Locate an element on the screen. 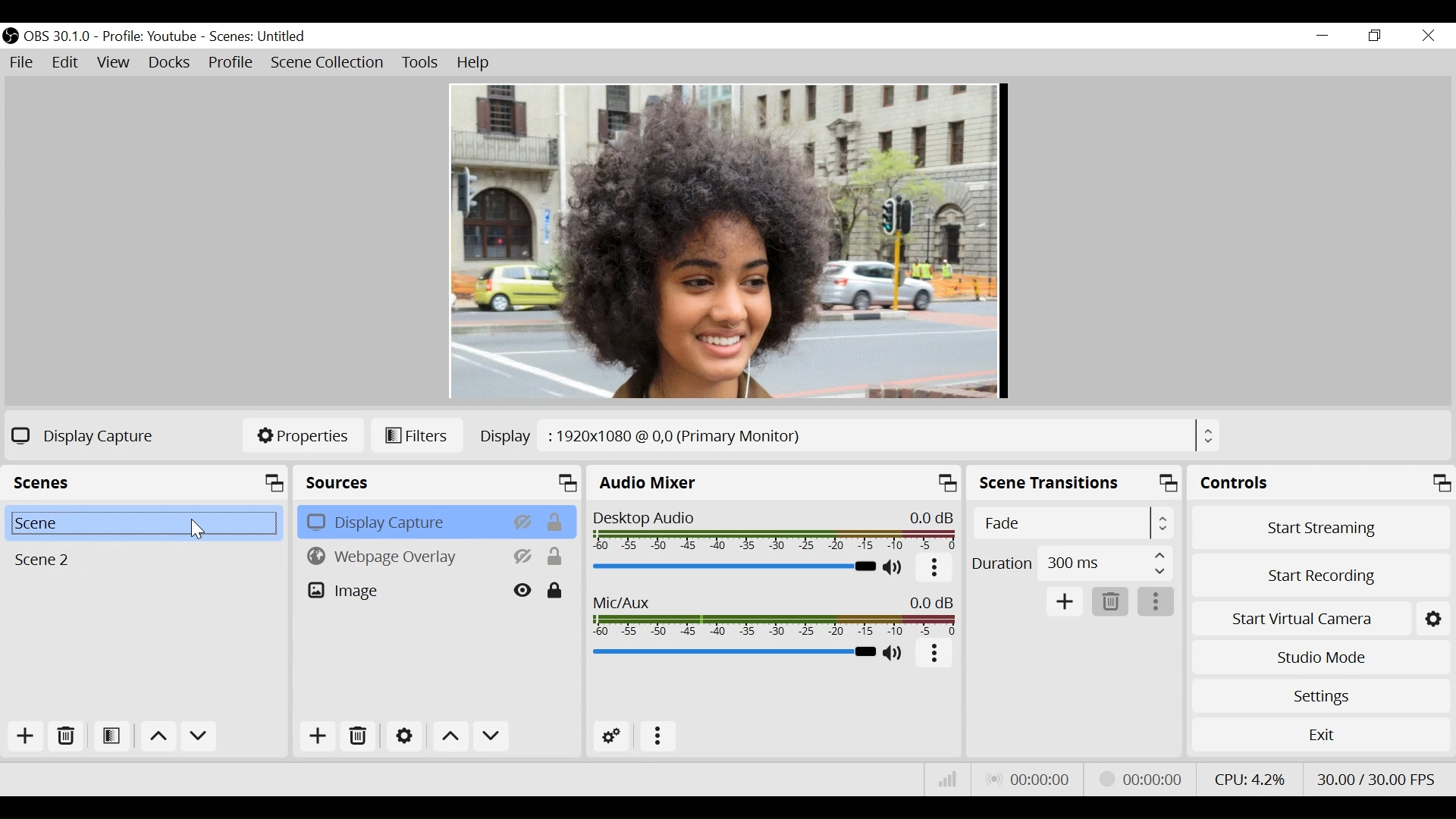  Audio Mixer is located at coordinates (775, 482).